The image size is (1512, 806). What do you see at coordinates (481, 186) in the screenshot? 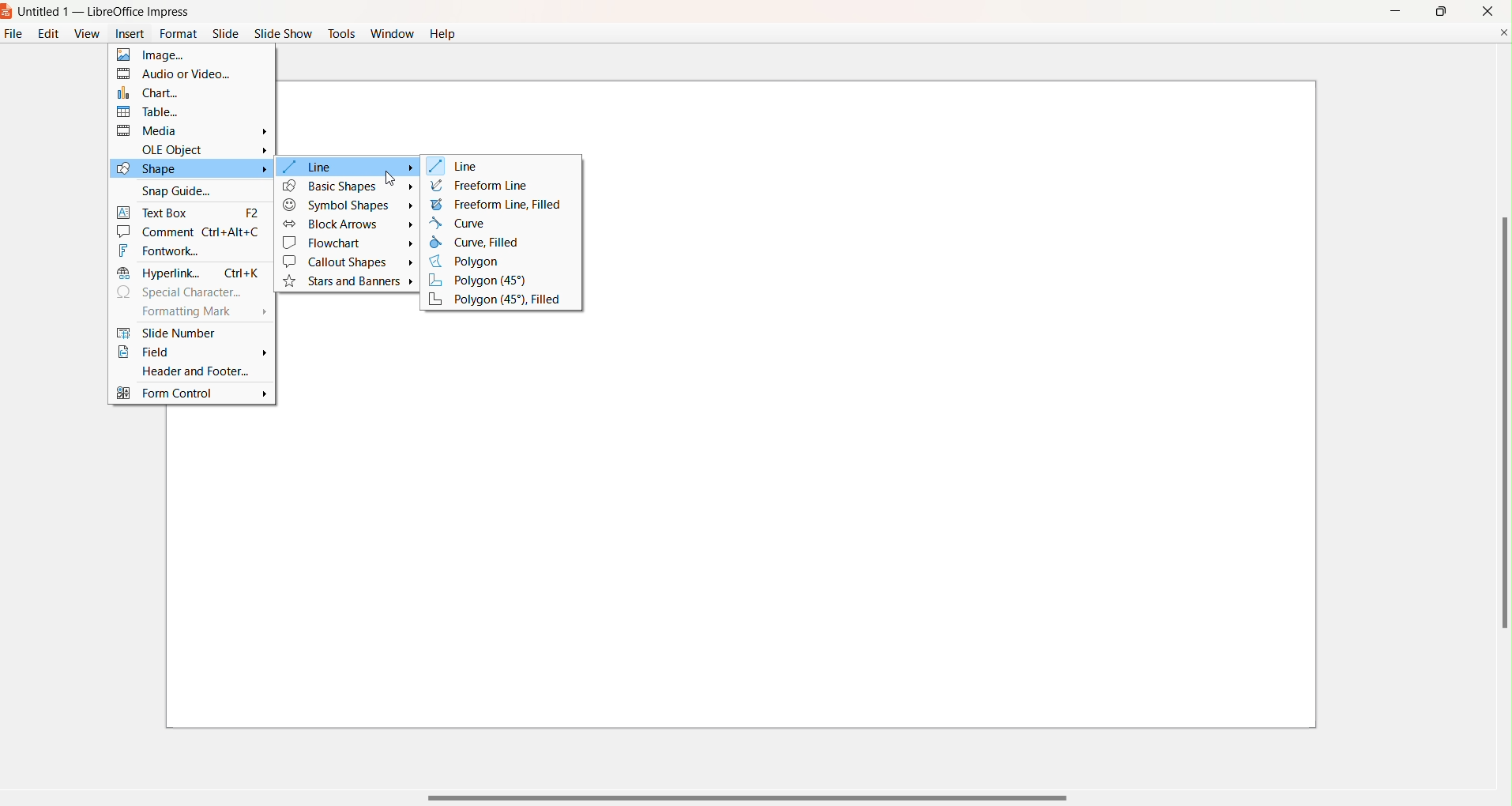
I see `Freedom Line` at bounding box center [481, 186].